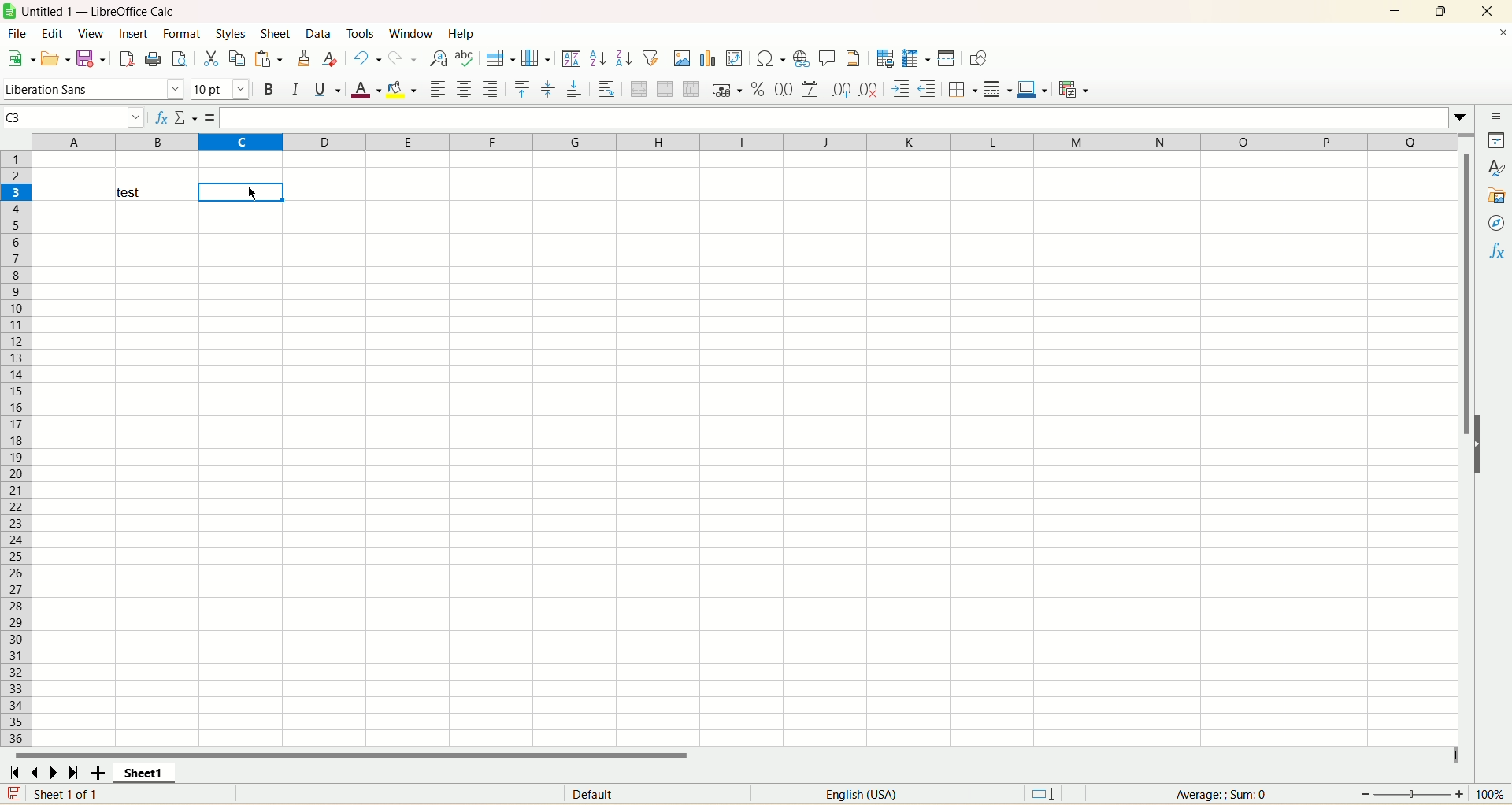 The height and width of the screenshot is (805, 1512). What do you see at coordinates (17, 33) in the screenshot?
I see `file` at bounding box center [17, 33].